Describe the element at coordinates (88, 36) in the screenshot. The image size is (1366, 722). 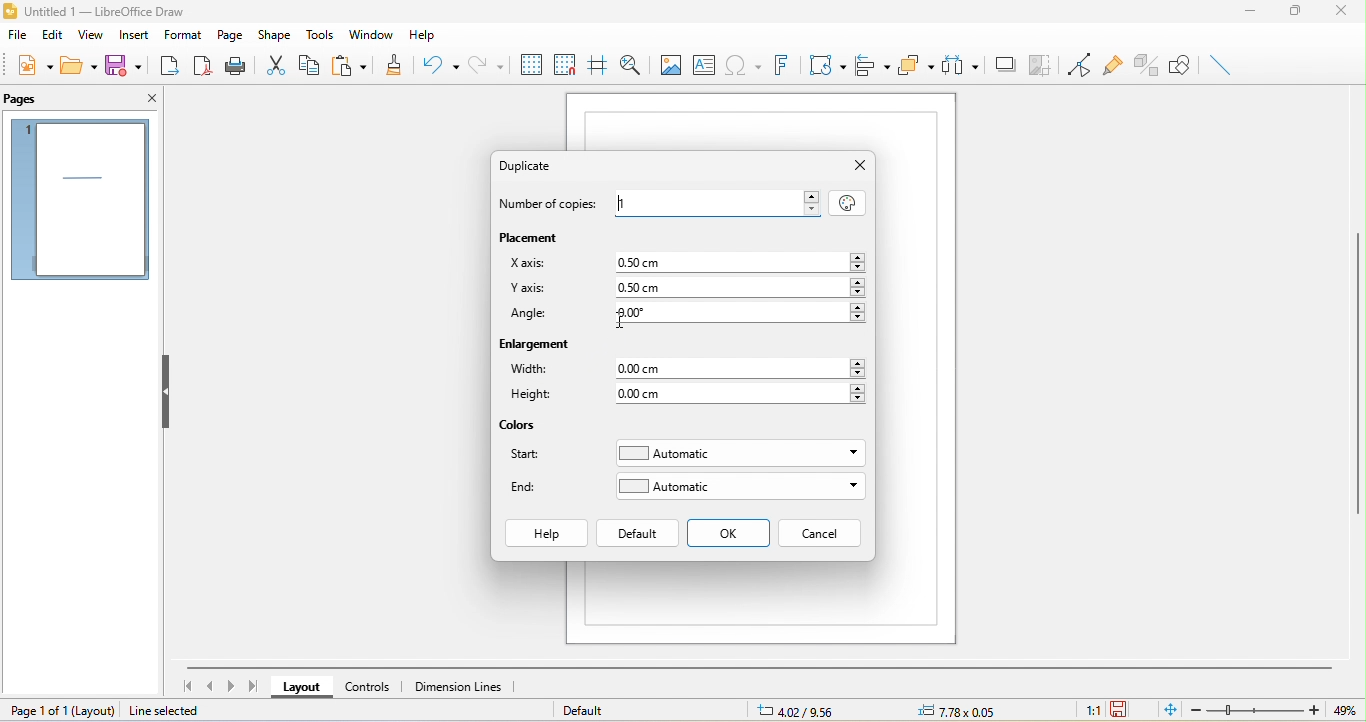
I see `view` at that location.